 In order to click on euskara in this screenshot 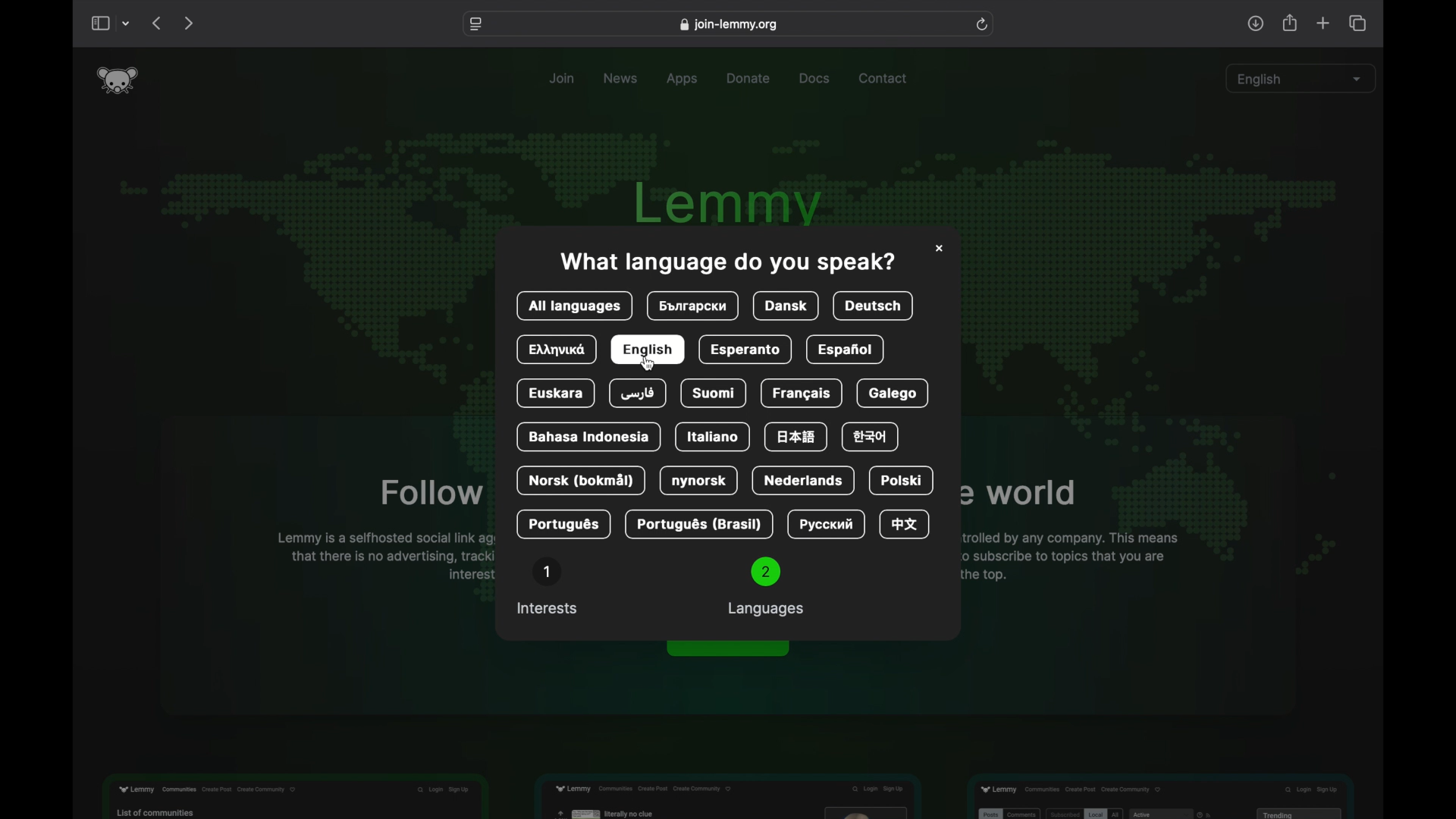, I will do `click(556, 392)`.